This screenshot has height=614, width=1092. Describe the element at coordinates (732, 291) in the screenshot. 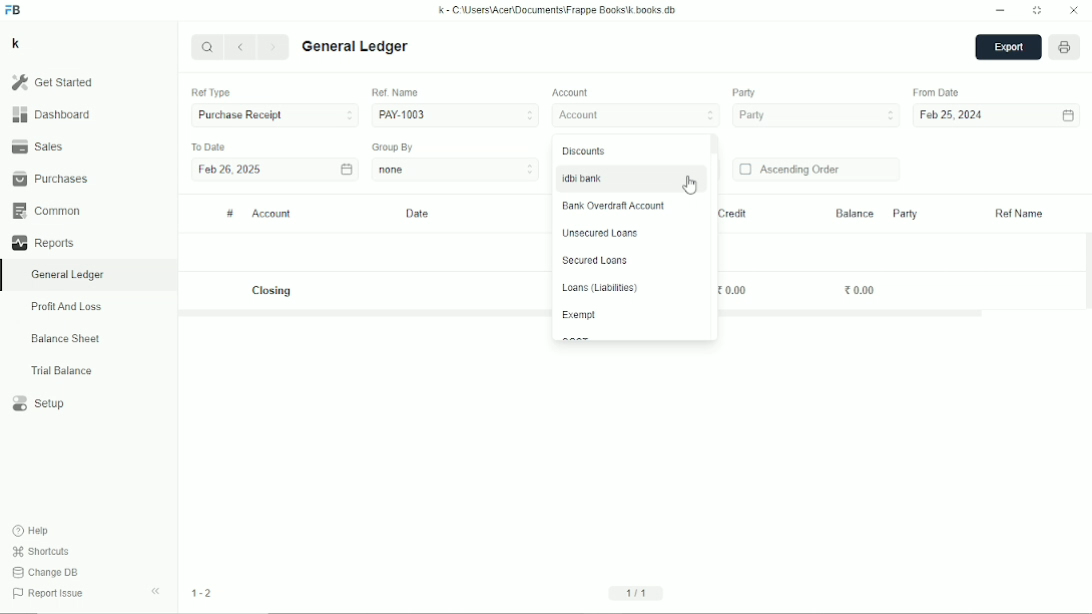

I see `0.00` at that location.